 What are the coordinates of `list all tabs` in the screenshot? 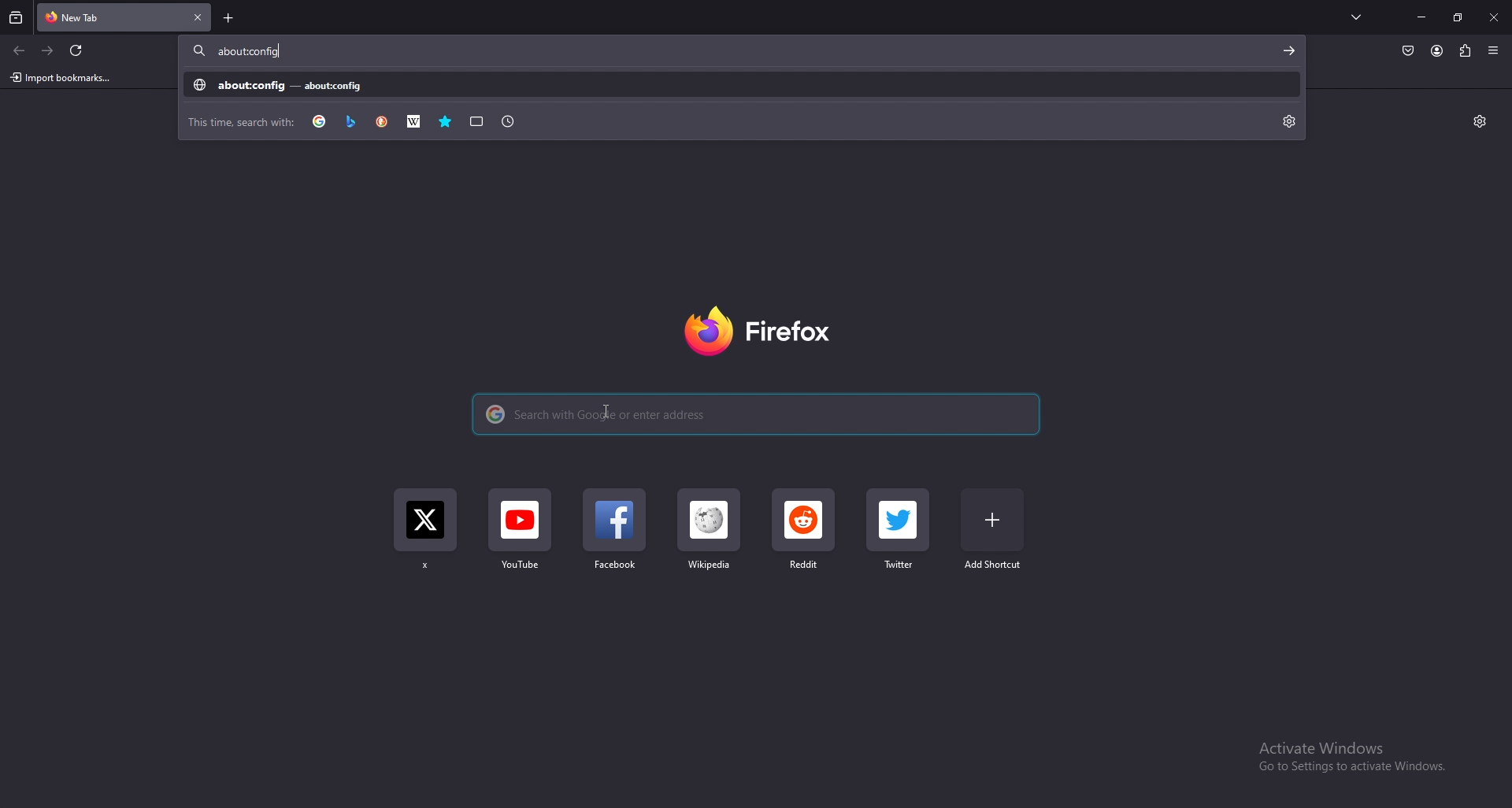 It's located at (1358, 16).